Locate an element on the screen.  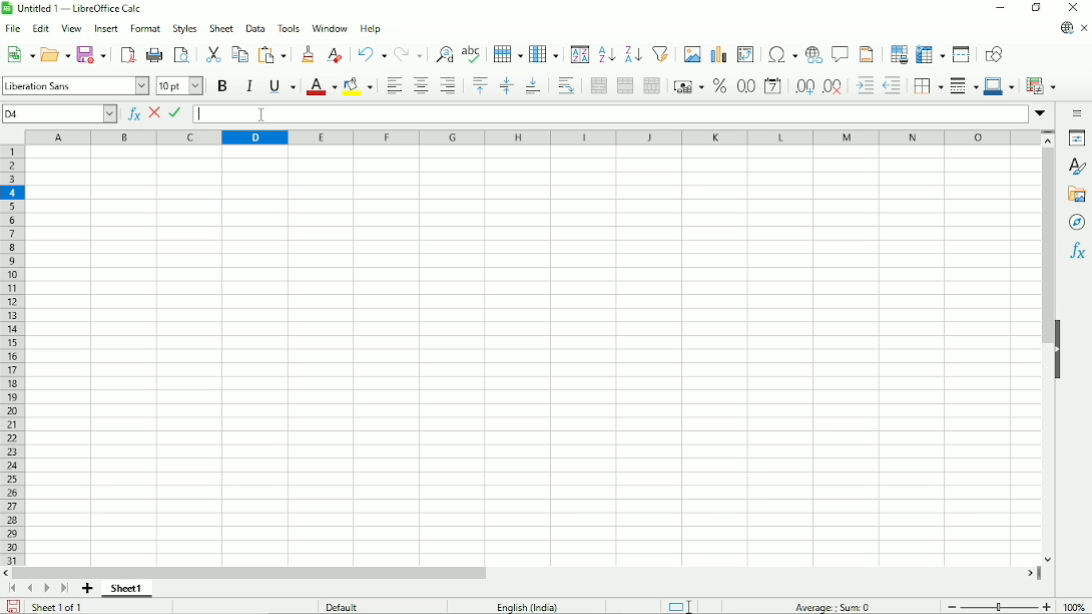
zoom out is located at coordinates (953, 607).